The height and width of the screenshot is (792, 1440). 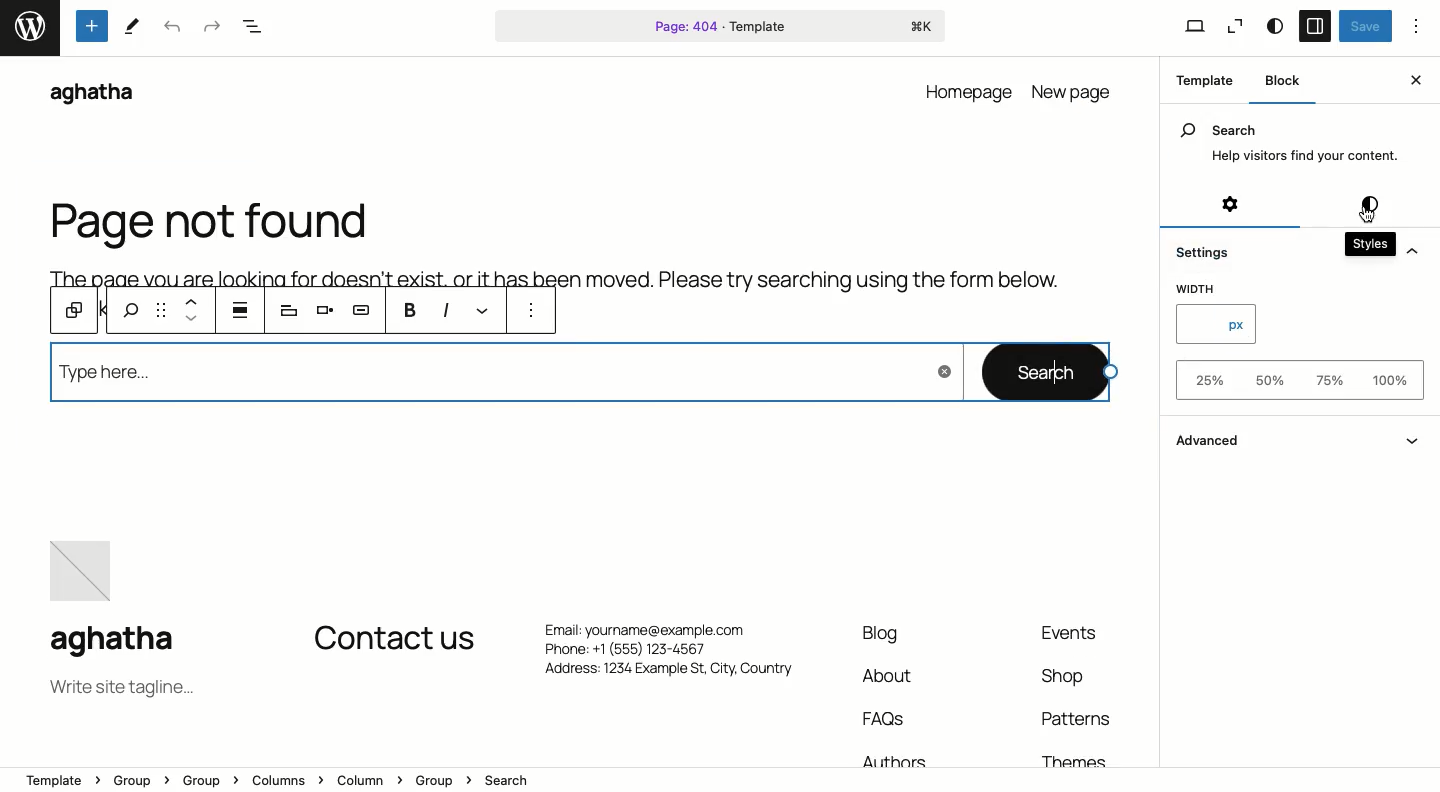 I want to click on Phone: +1 (555) 123-4567, so click(x=665, y=650).